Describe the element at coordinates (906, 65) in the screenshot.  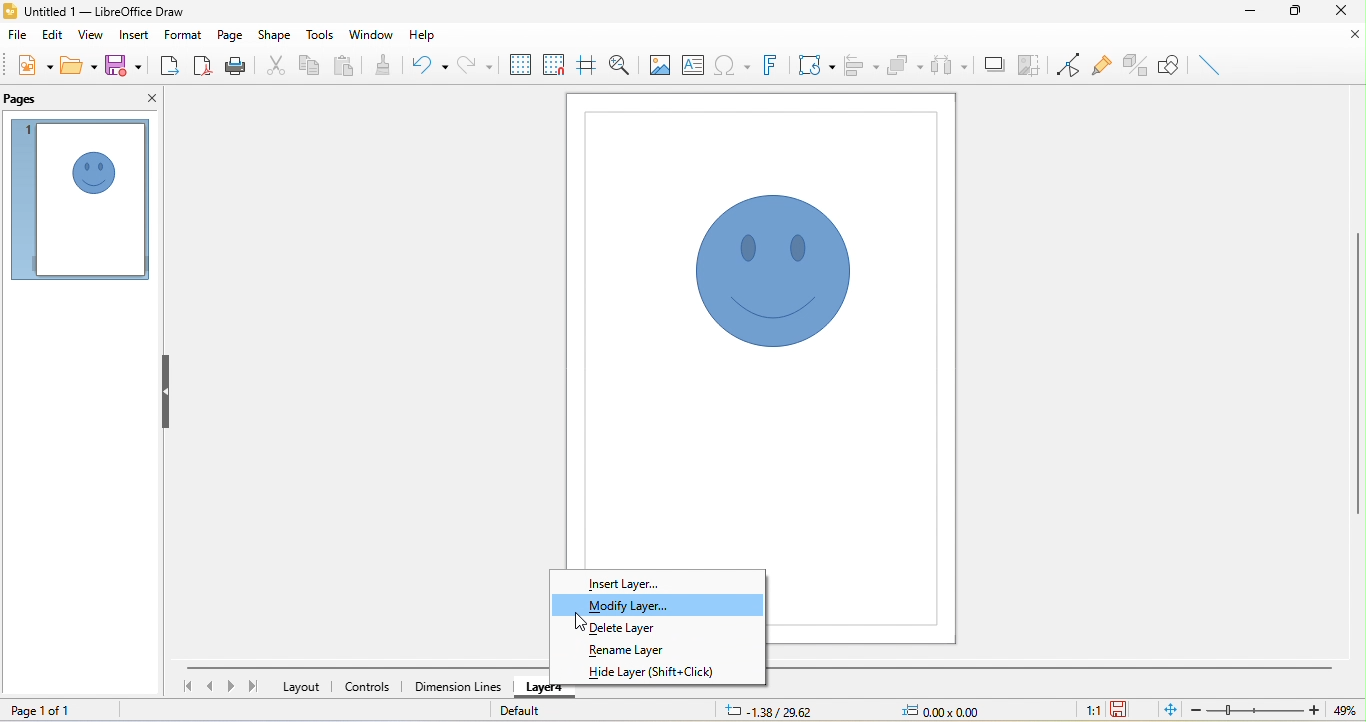
I see `arrange` at that location.